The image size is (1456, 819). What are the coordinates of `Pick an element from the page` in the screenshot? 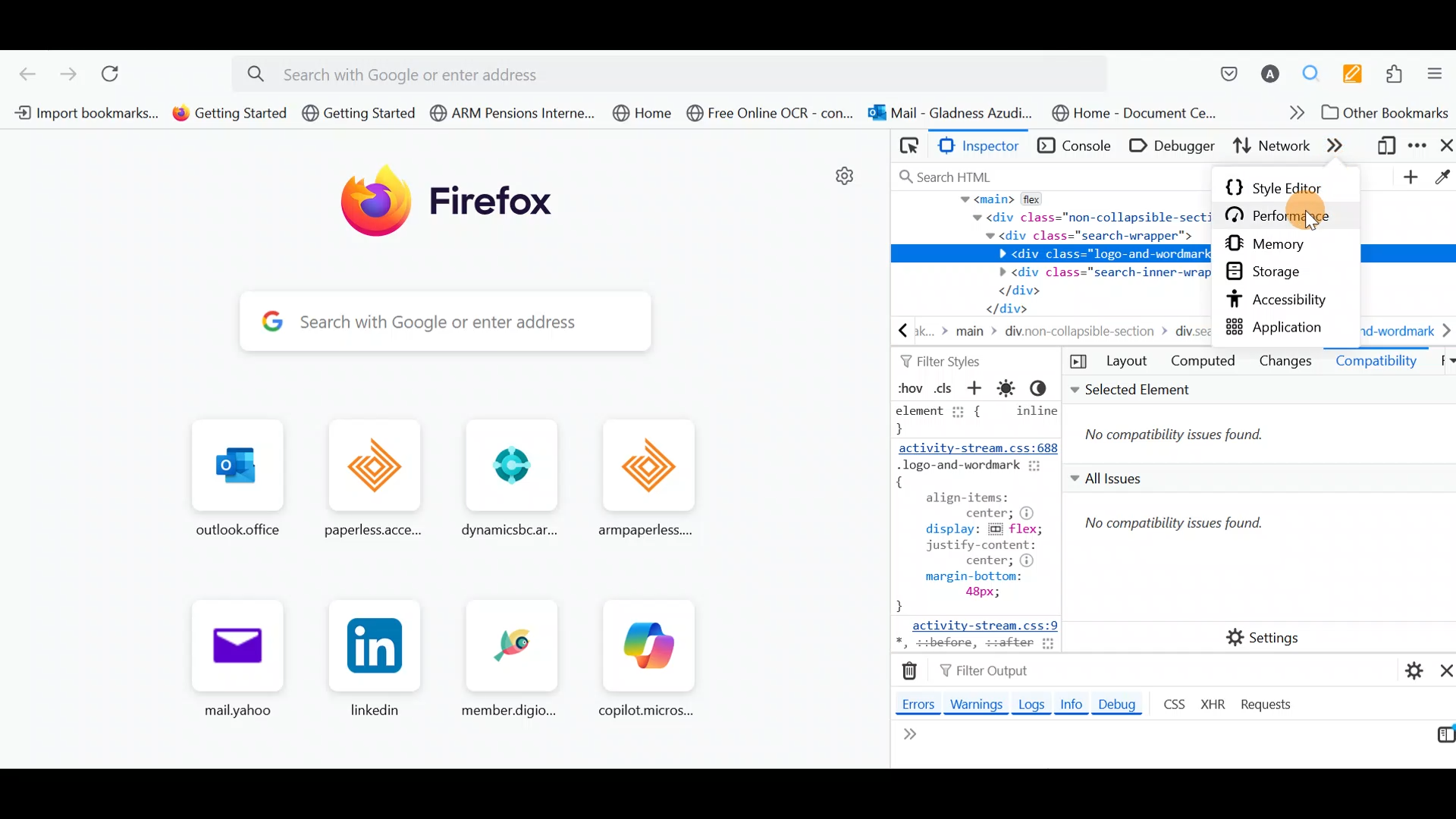 It's located at (908, 146).